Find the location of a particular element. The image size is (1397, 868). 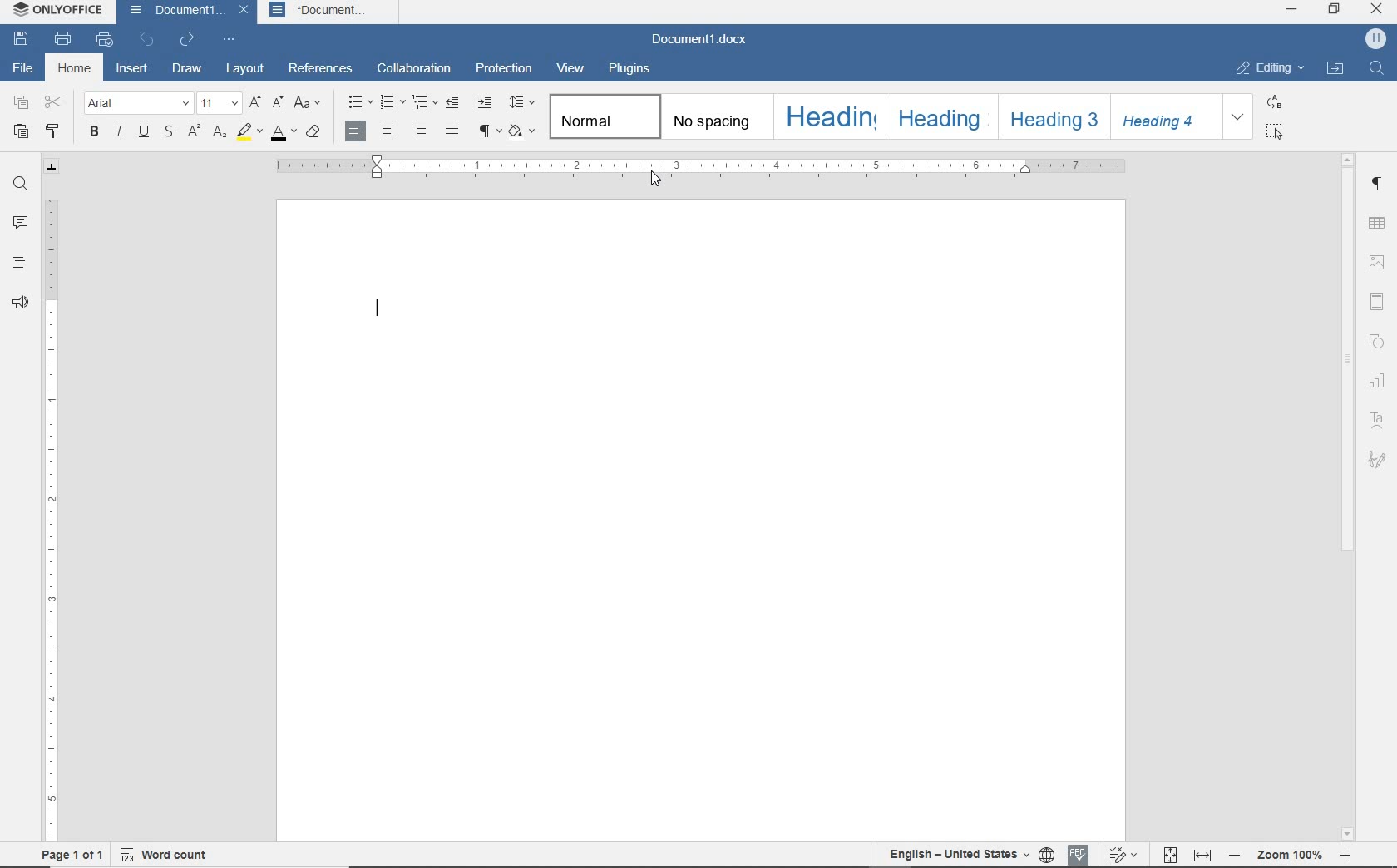

RULER is located at coordinates (49, 518).